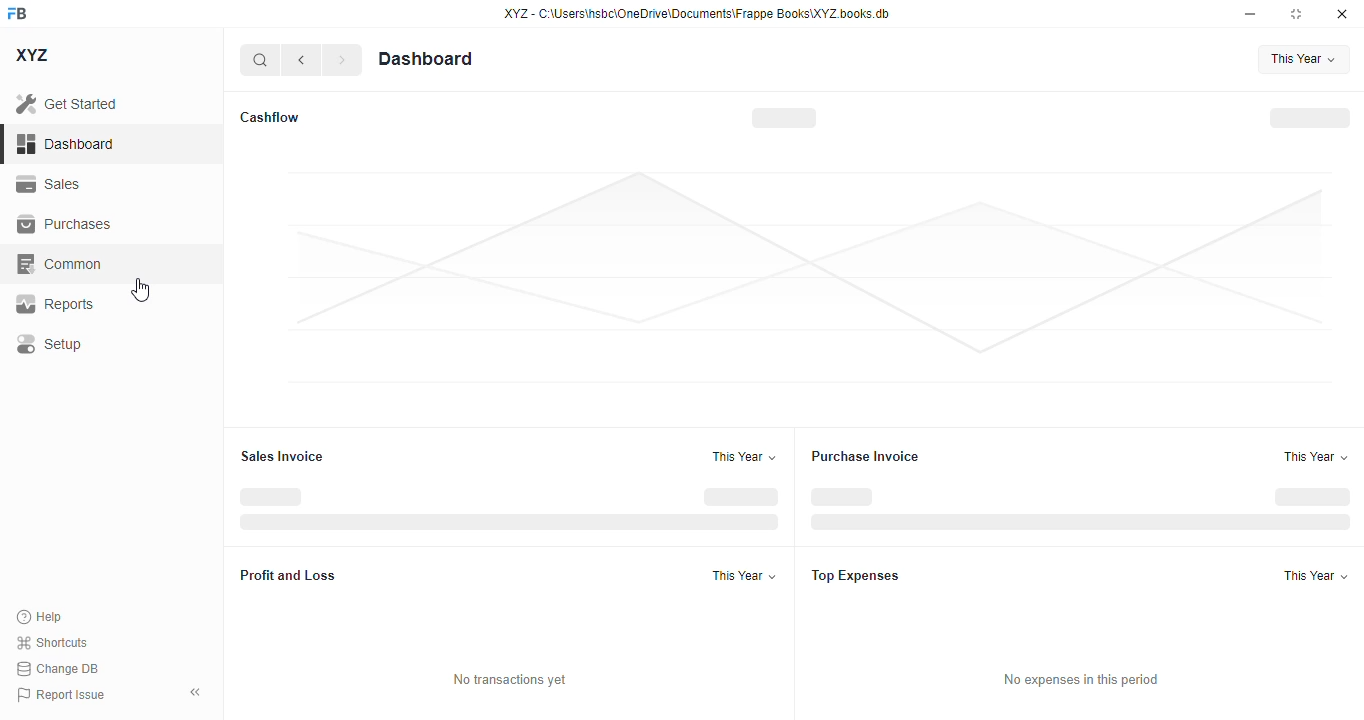 The image size is (1364, 720). I want to click on FB - logo, so click(17, 13).